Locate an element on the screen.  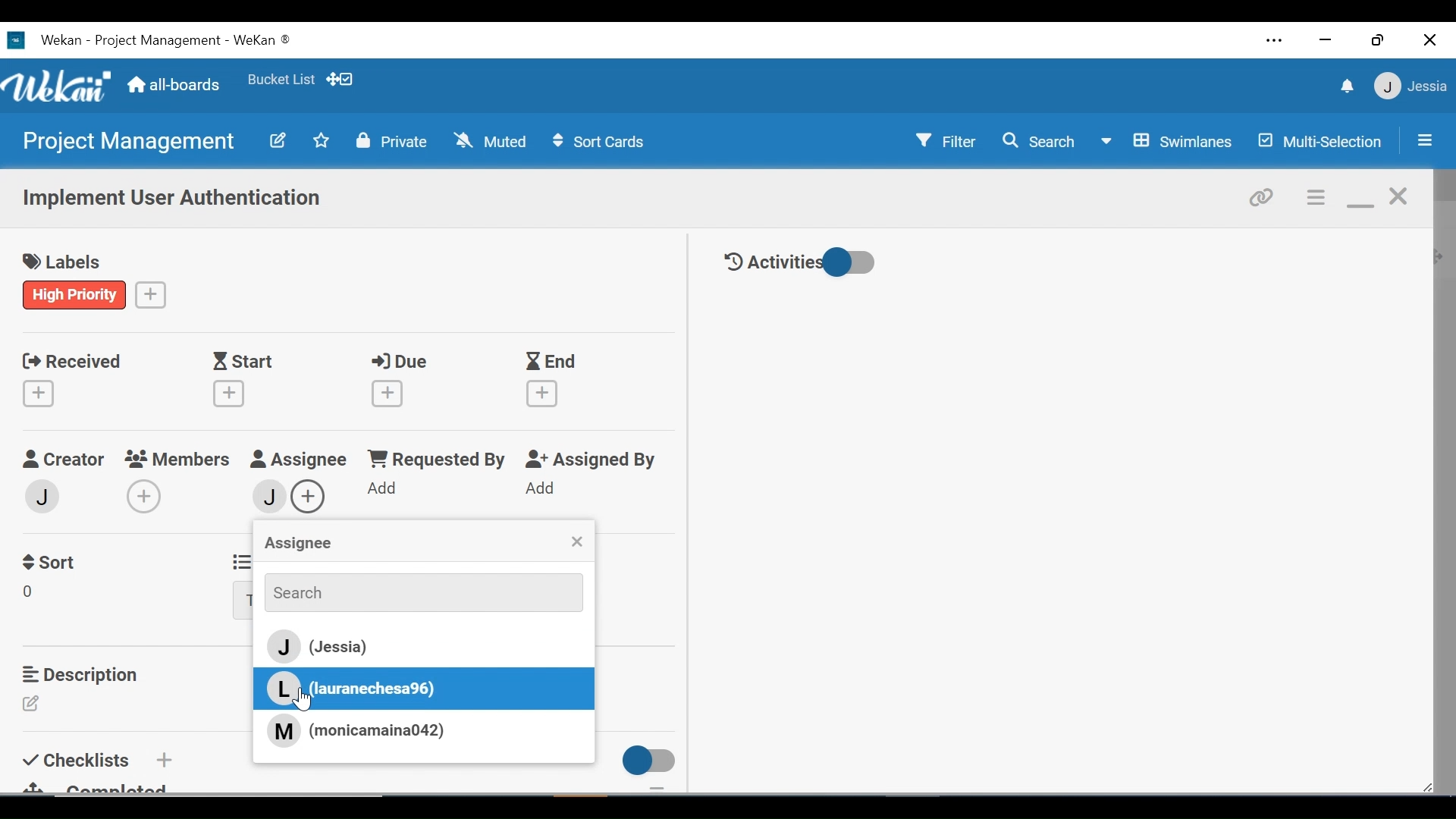
minimize is located at coordinates (1360, 199).